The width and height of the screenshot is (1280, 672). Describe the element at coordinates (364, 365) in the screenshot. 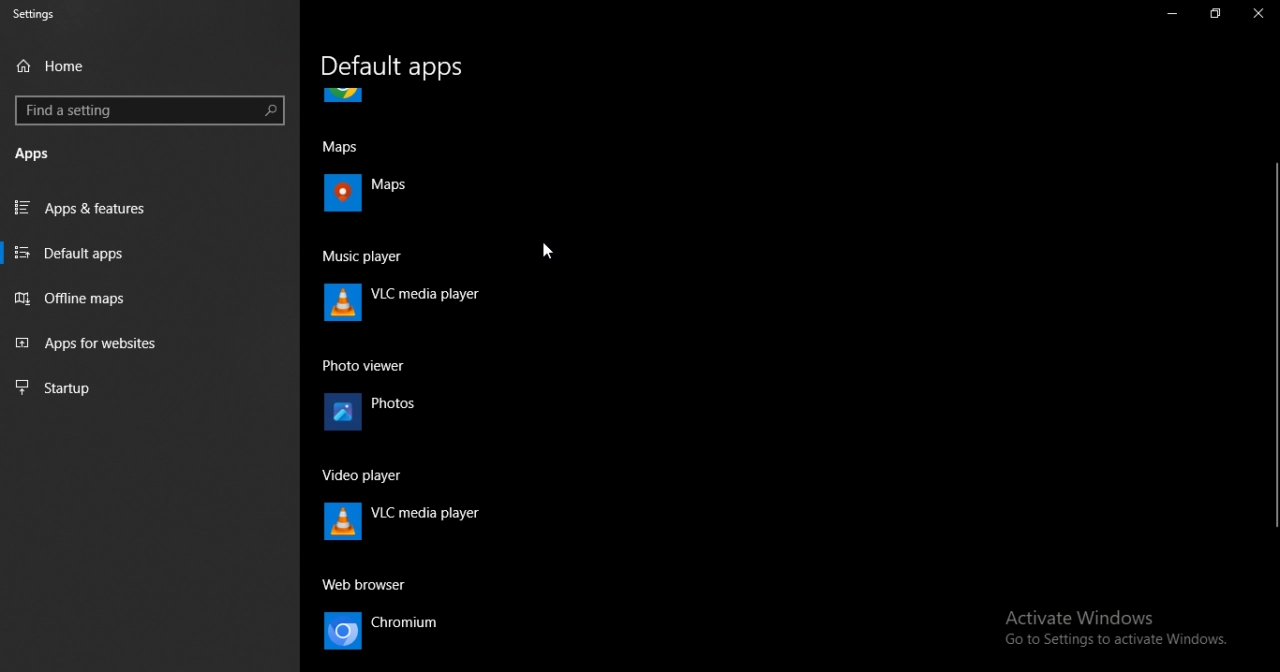

I see `photo viewer` at that location.